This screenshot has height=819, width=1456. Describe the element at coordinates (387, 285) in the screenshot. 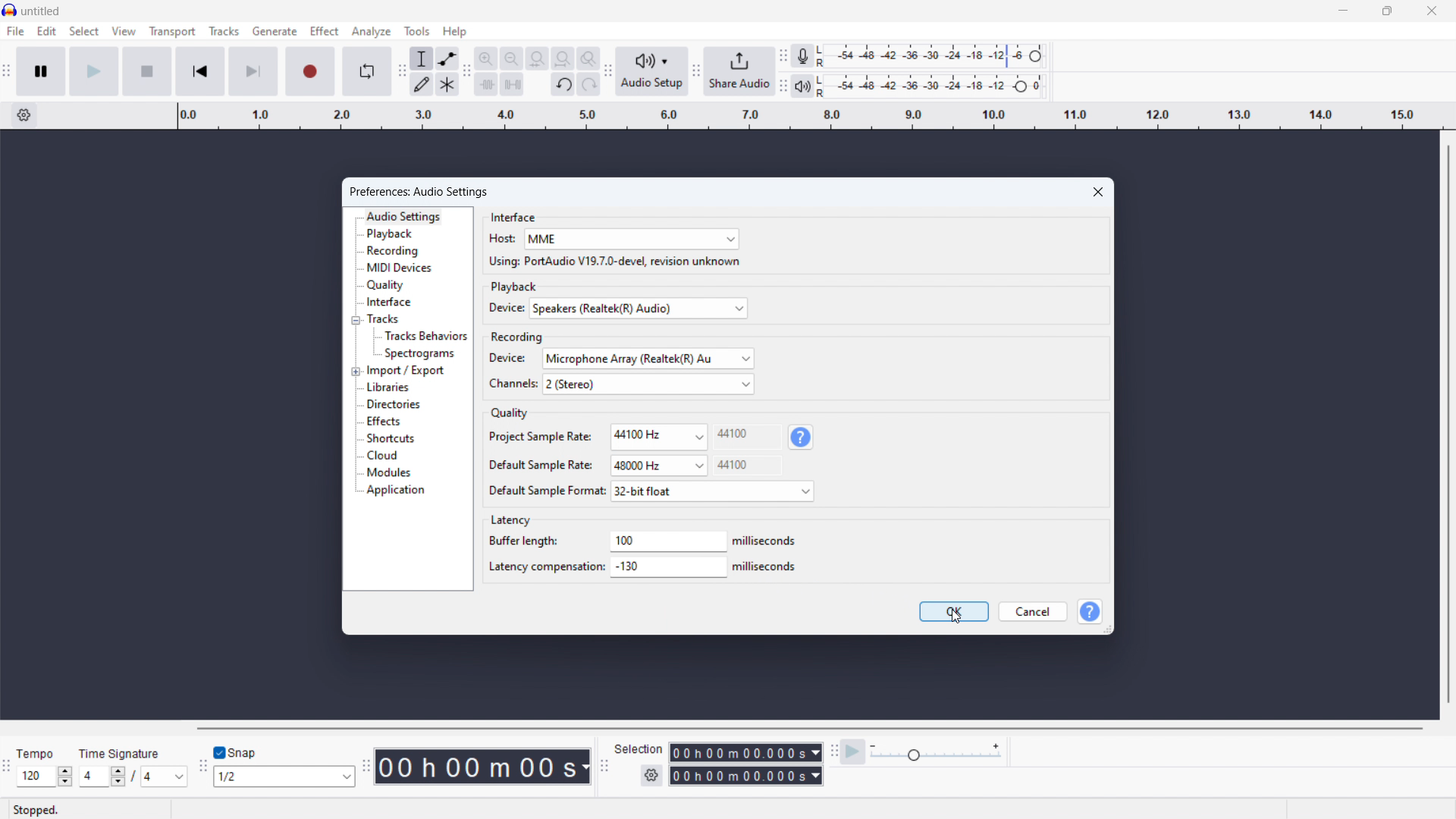

I see `quality` at that location.